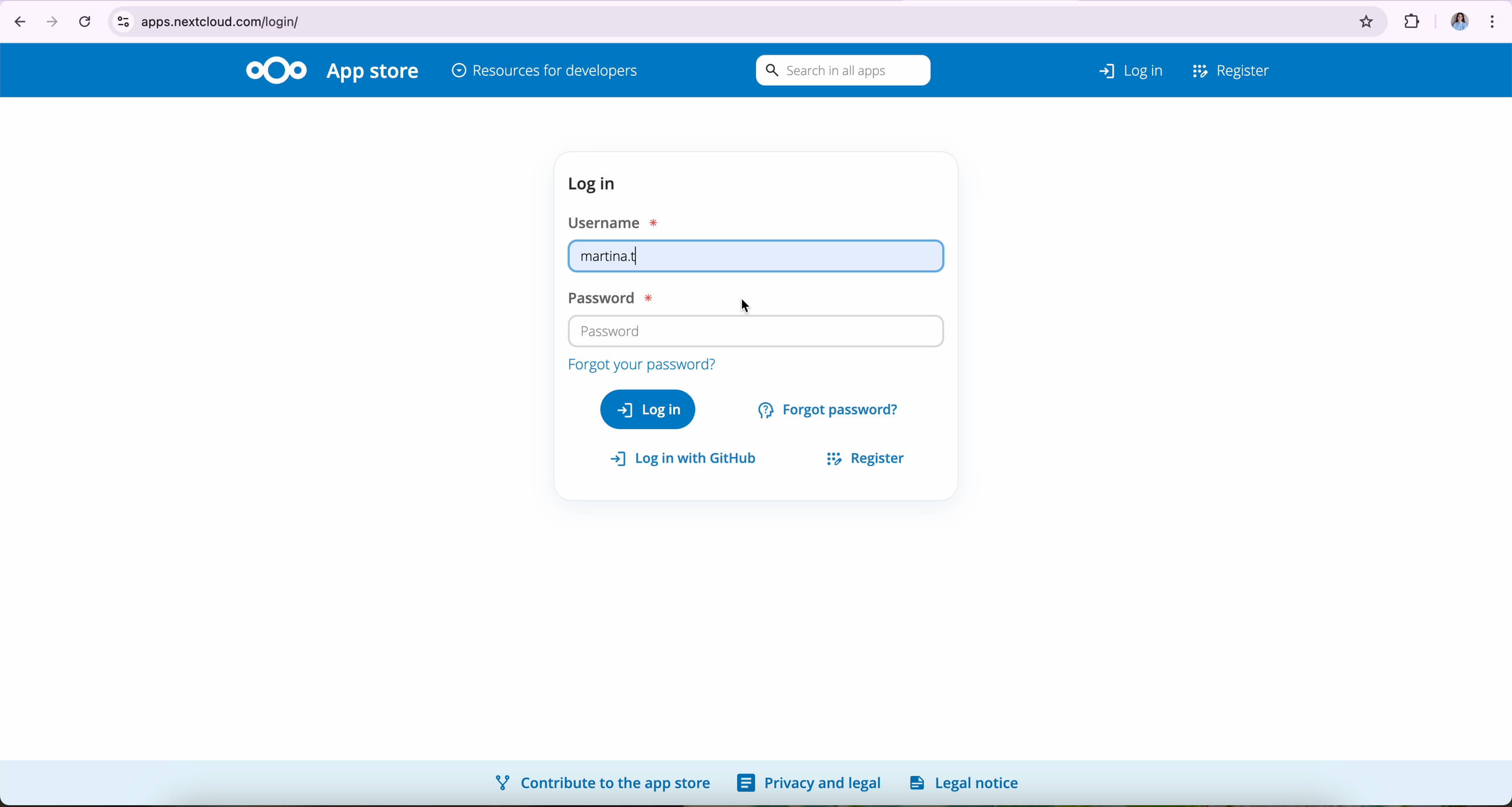  Describe the element at coordinates (1410, 18) in the screenshot. I see `extensions` at that location.